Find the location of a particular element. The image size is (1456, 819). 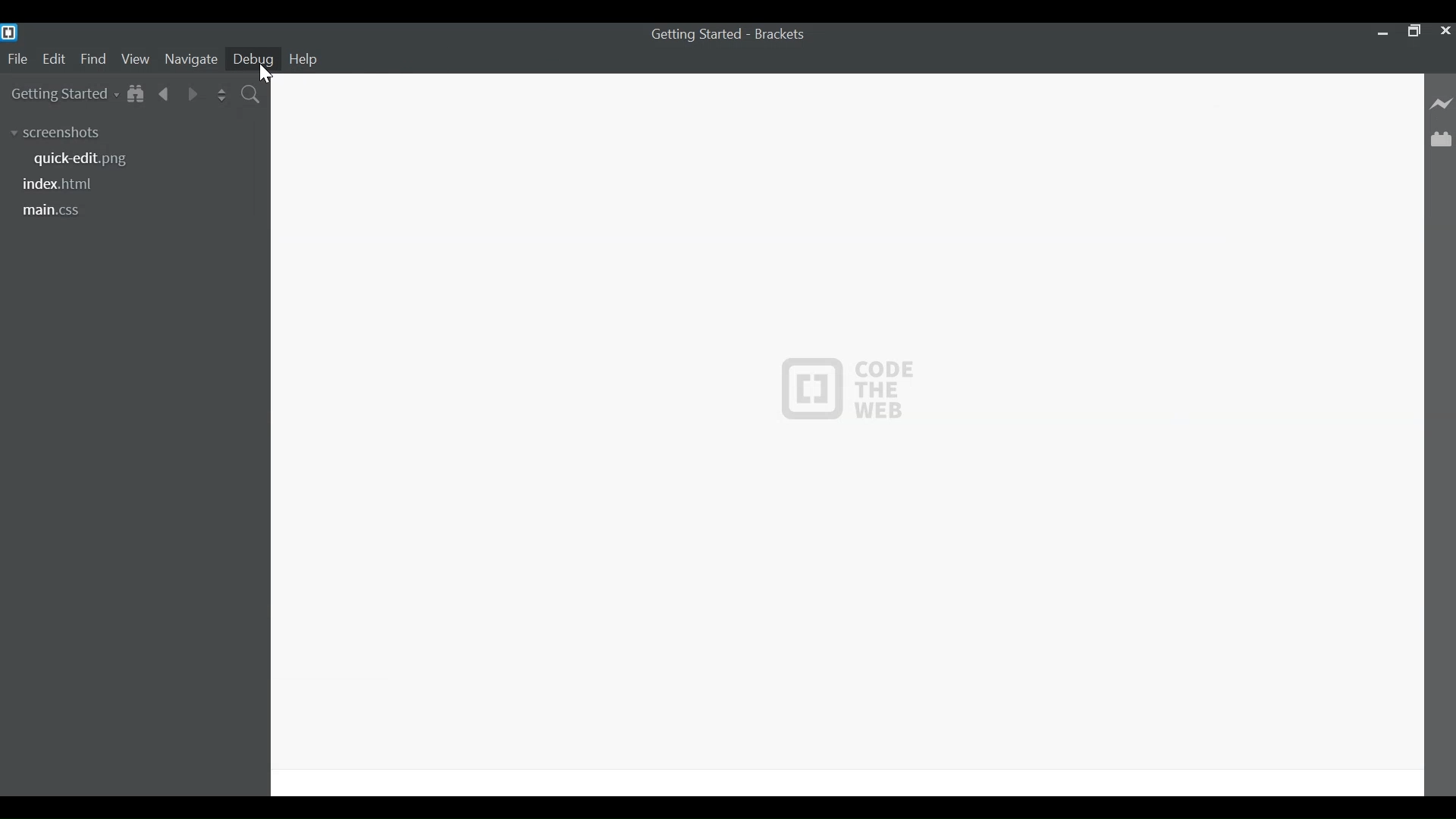

Find is located at coordinates (93, 57).